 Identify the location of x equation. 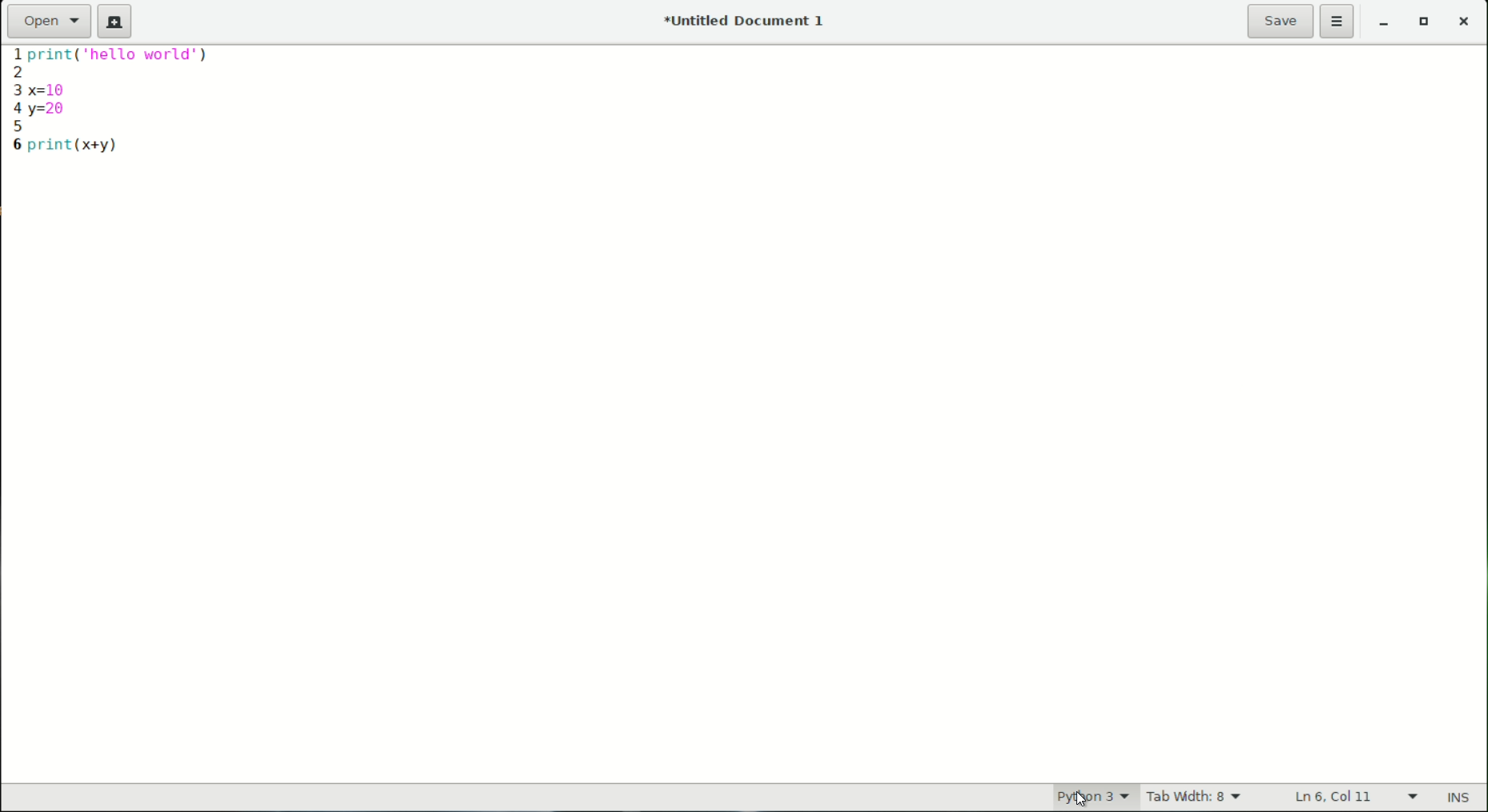
(62, 87).